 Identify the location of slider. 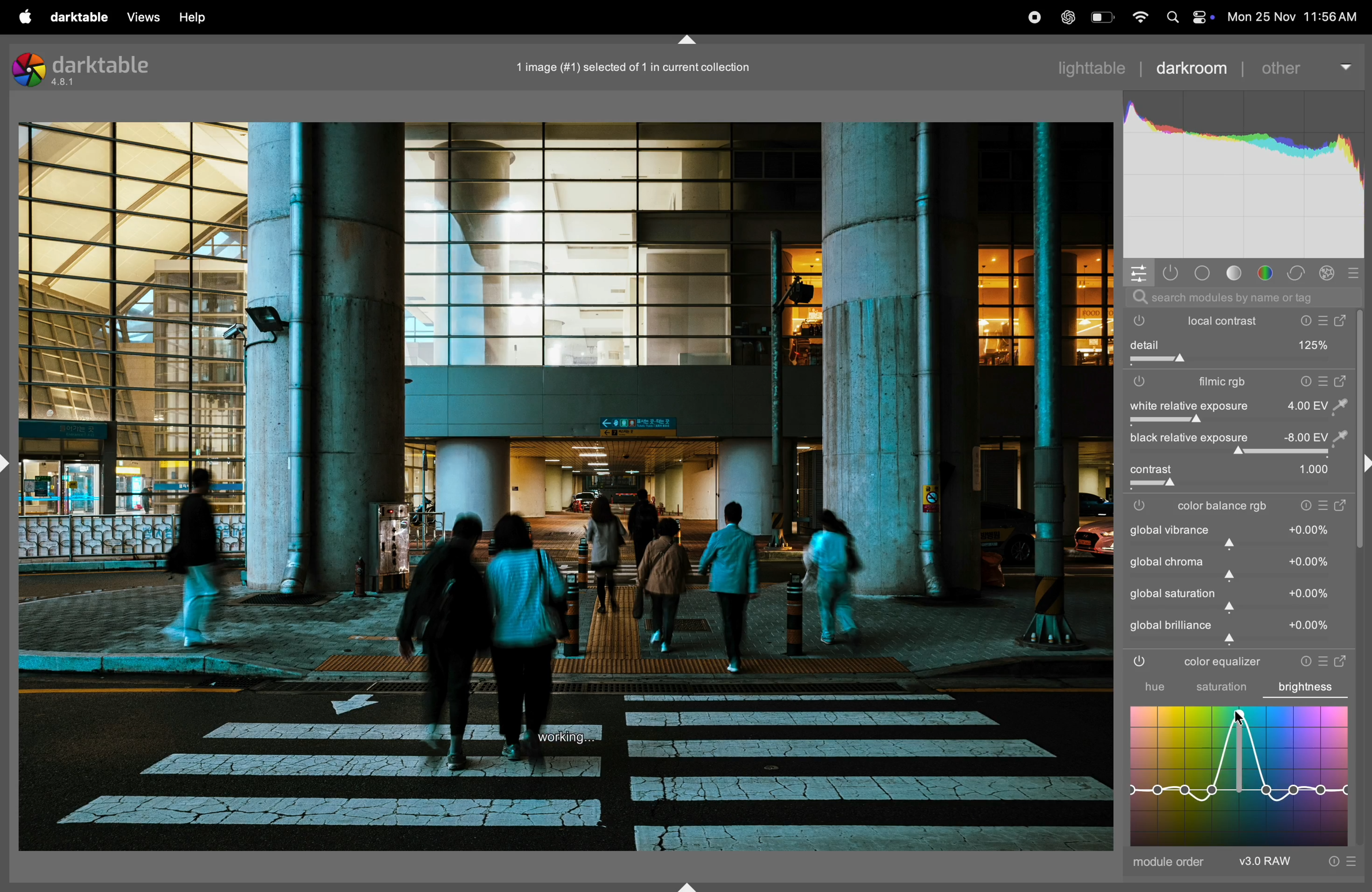
(1240, 421).